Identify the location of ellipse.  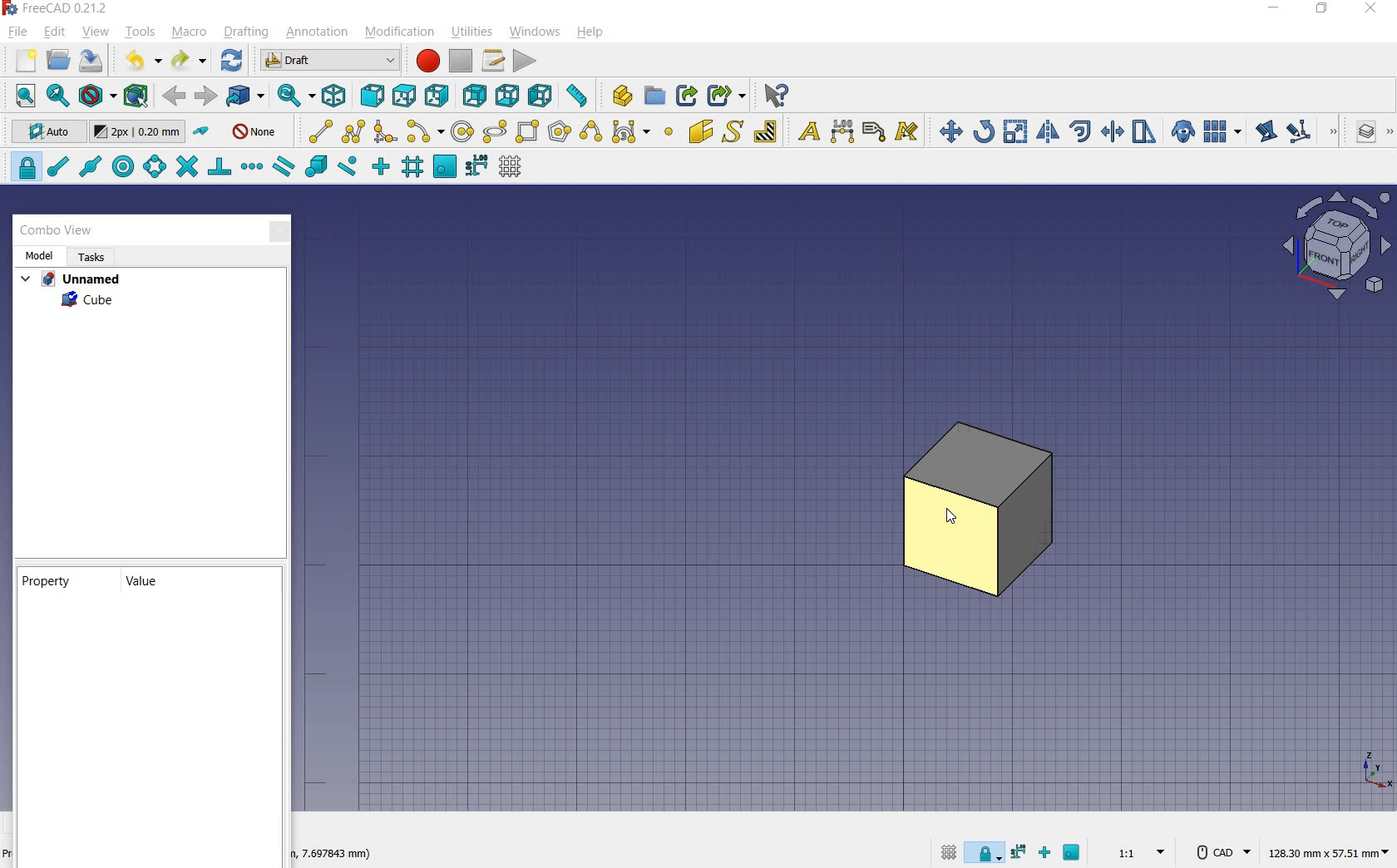
(496, 132).